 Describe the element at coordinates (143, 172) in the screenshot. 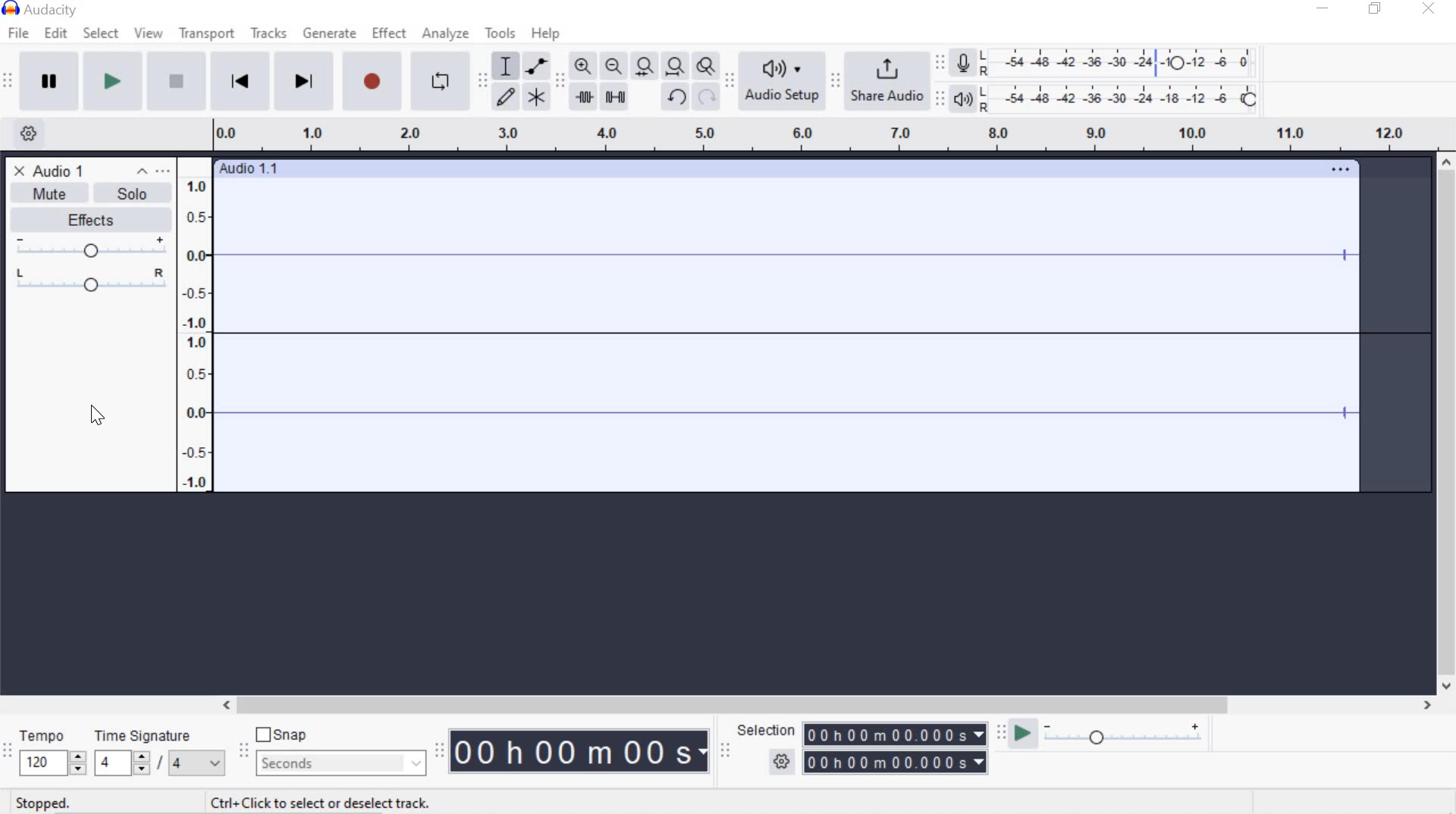

I see `collapse` at that location.